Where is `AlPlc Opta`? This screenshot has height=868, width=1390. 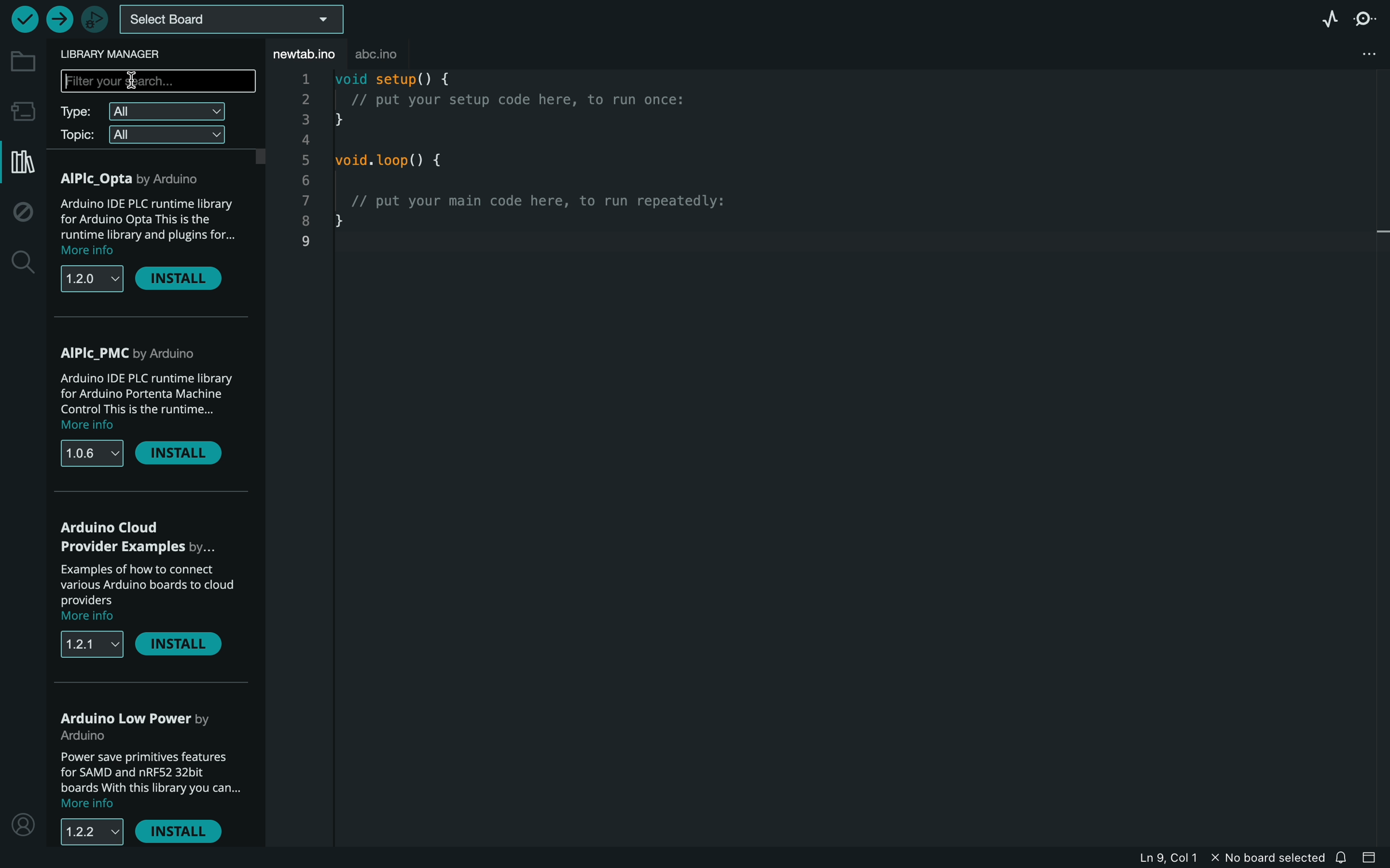
AlPlc Opta is located at coordinates (138, 178).